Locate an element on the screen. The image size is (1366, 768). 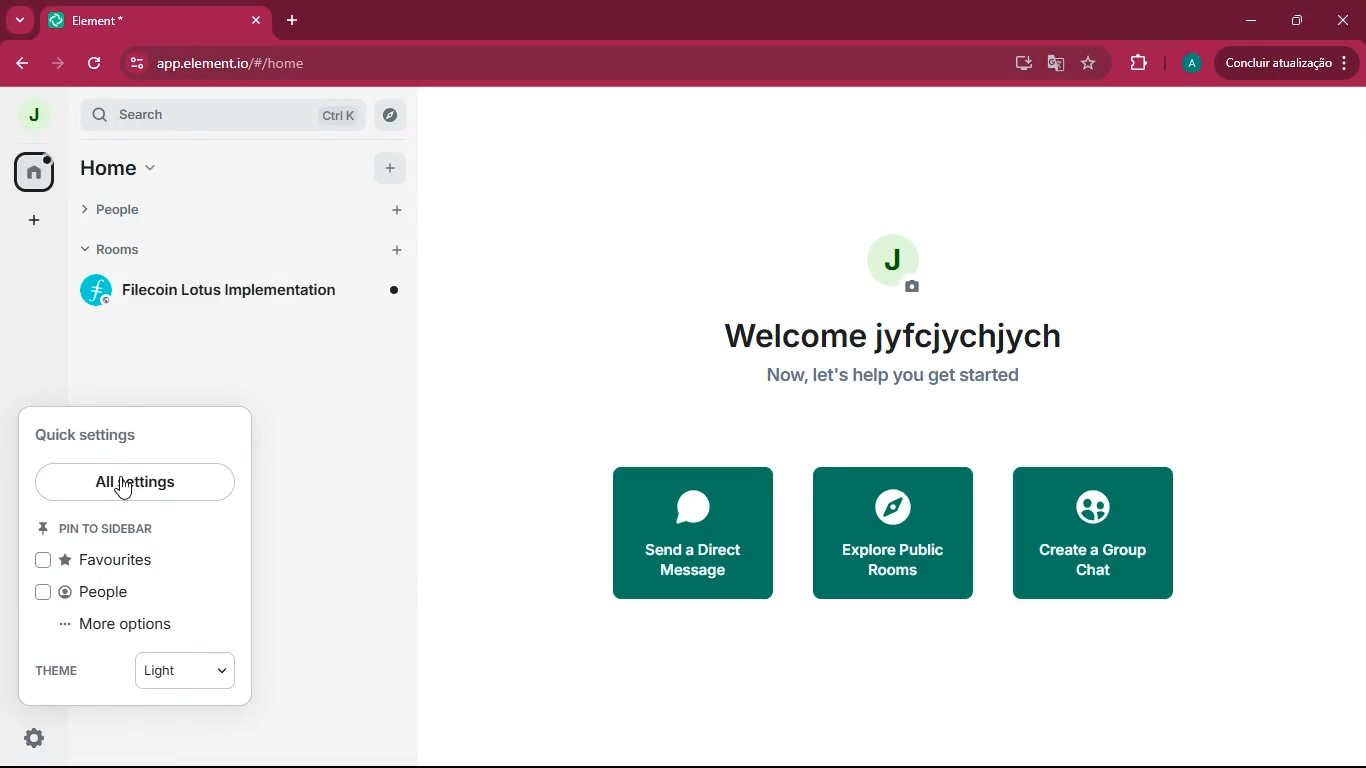
profile is located at coordinates (1188, 65).